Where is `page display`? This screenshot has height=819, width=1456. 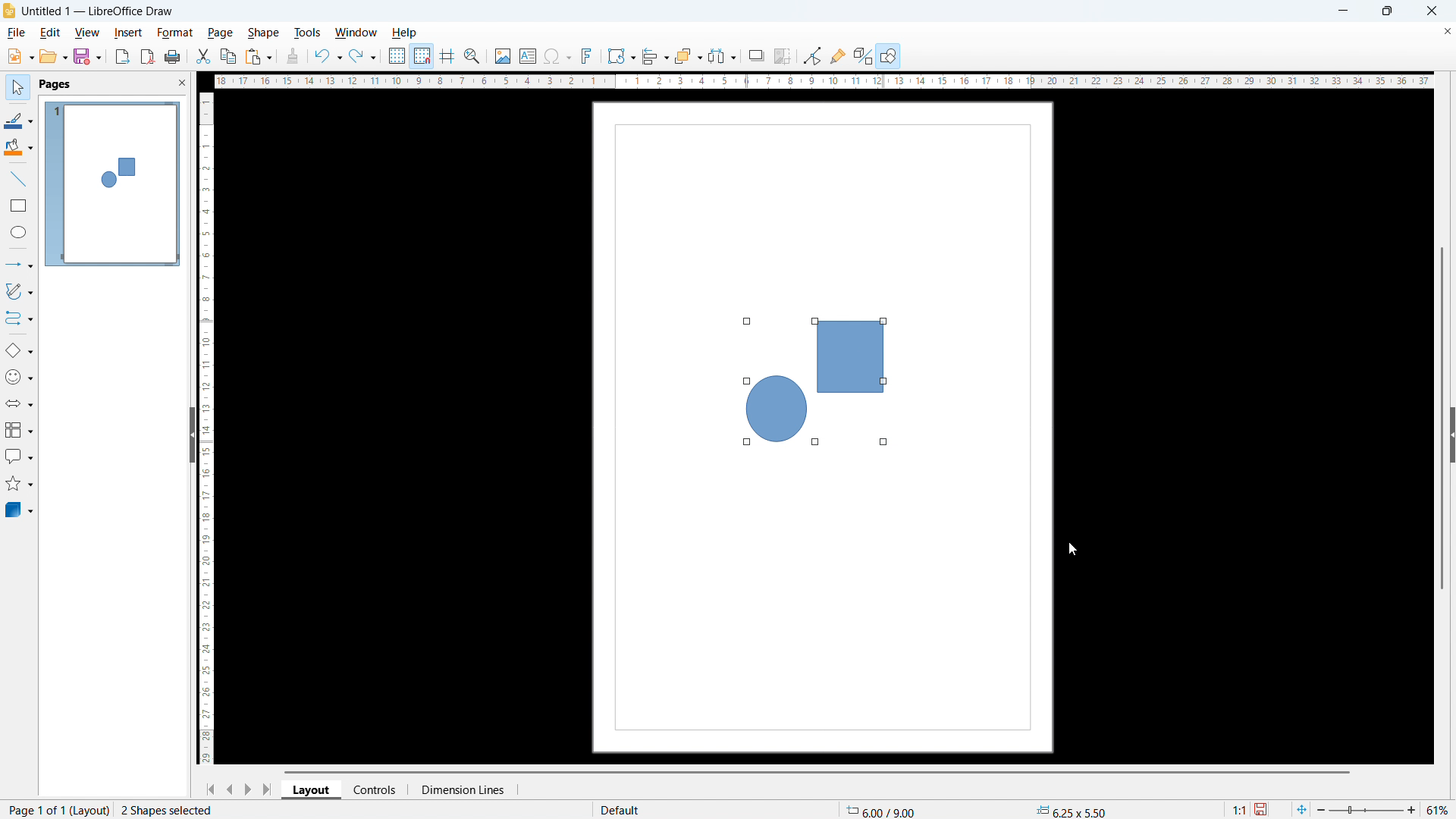
page display is located at coordinates (112, 184).